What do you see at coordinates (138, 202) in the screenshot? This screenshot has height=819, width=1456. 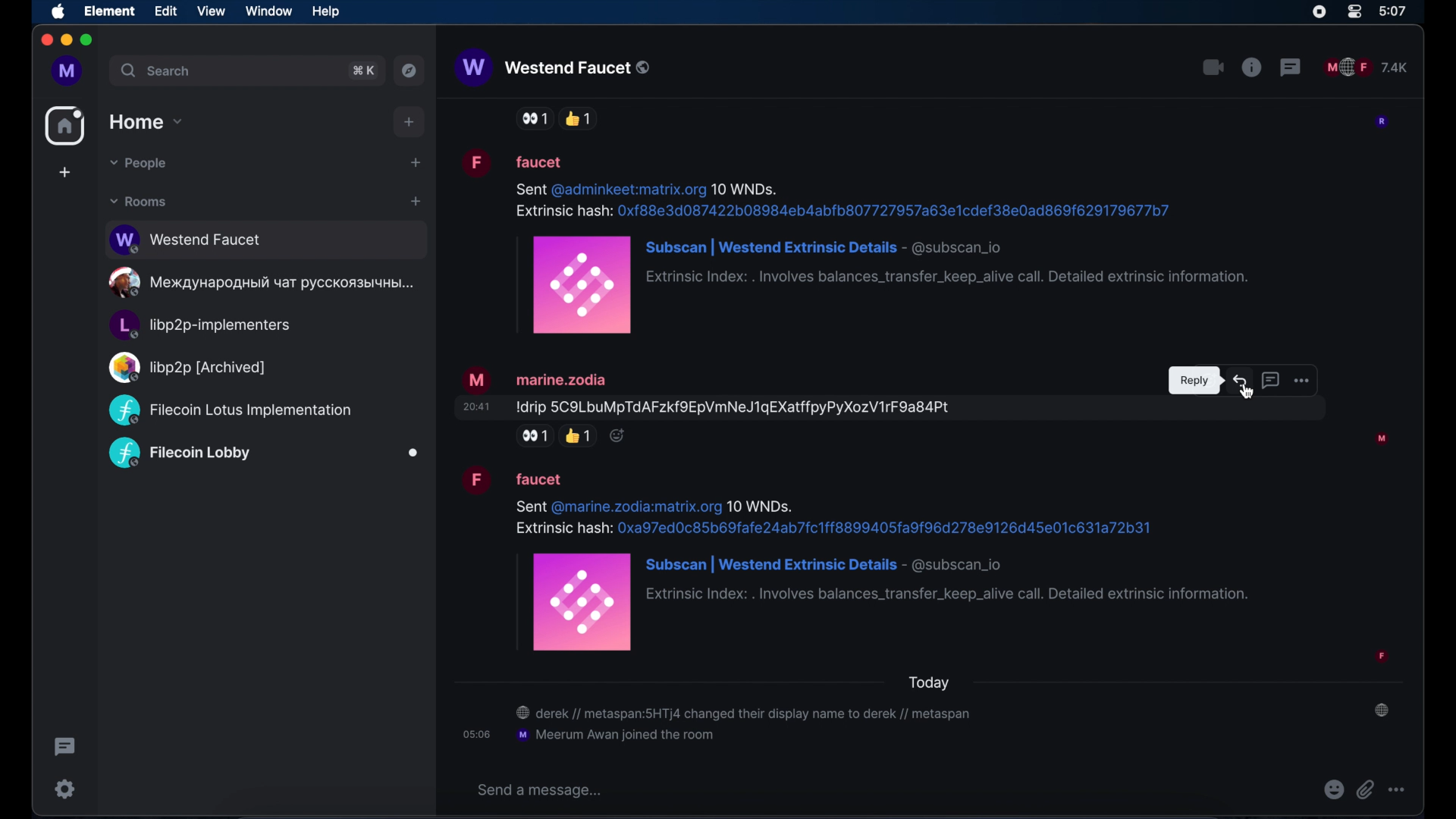 I see `rooms dropdown` at bounding box center [138, 202].